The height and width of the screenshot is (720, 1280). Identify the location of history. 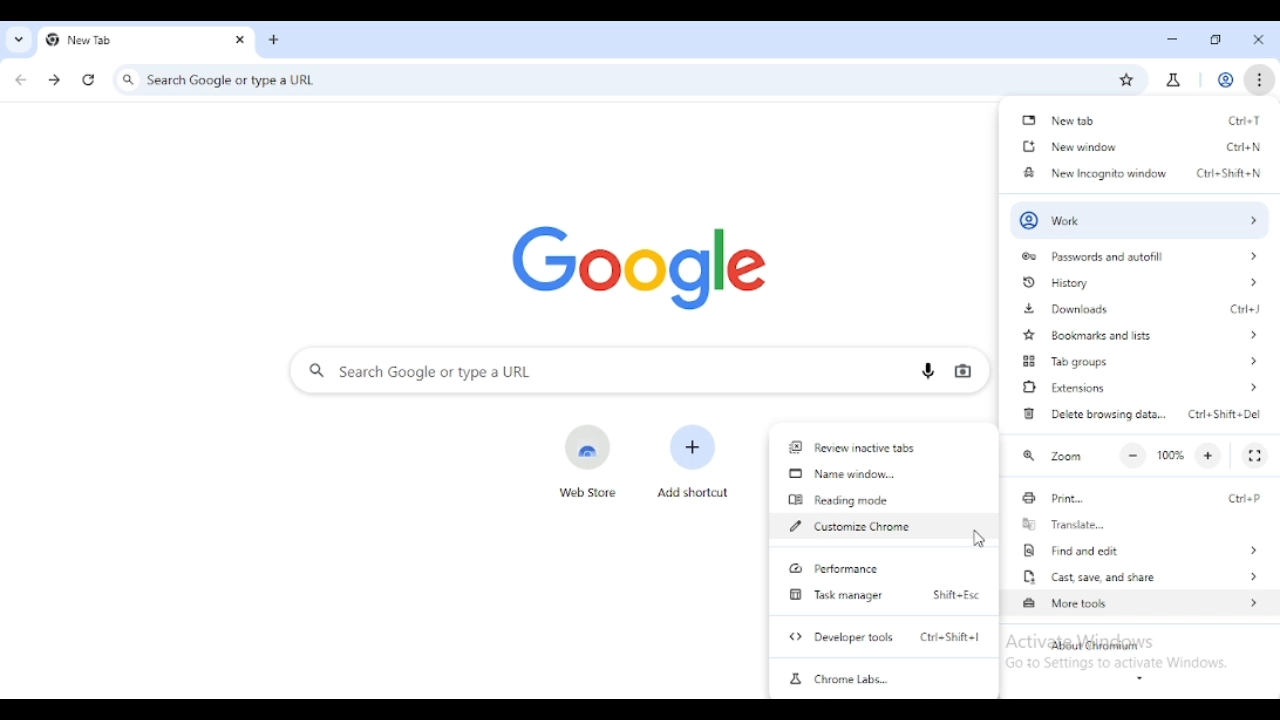
(1140, 282).